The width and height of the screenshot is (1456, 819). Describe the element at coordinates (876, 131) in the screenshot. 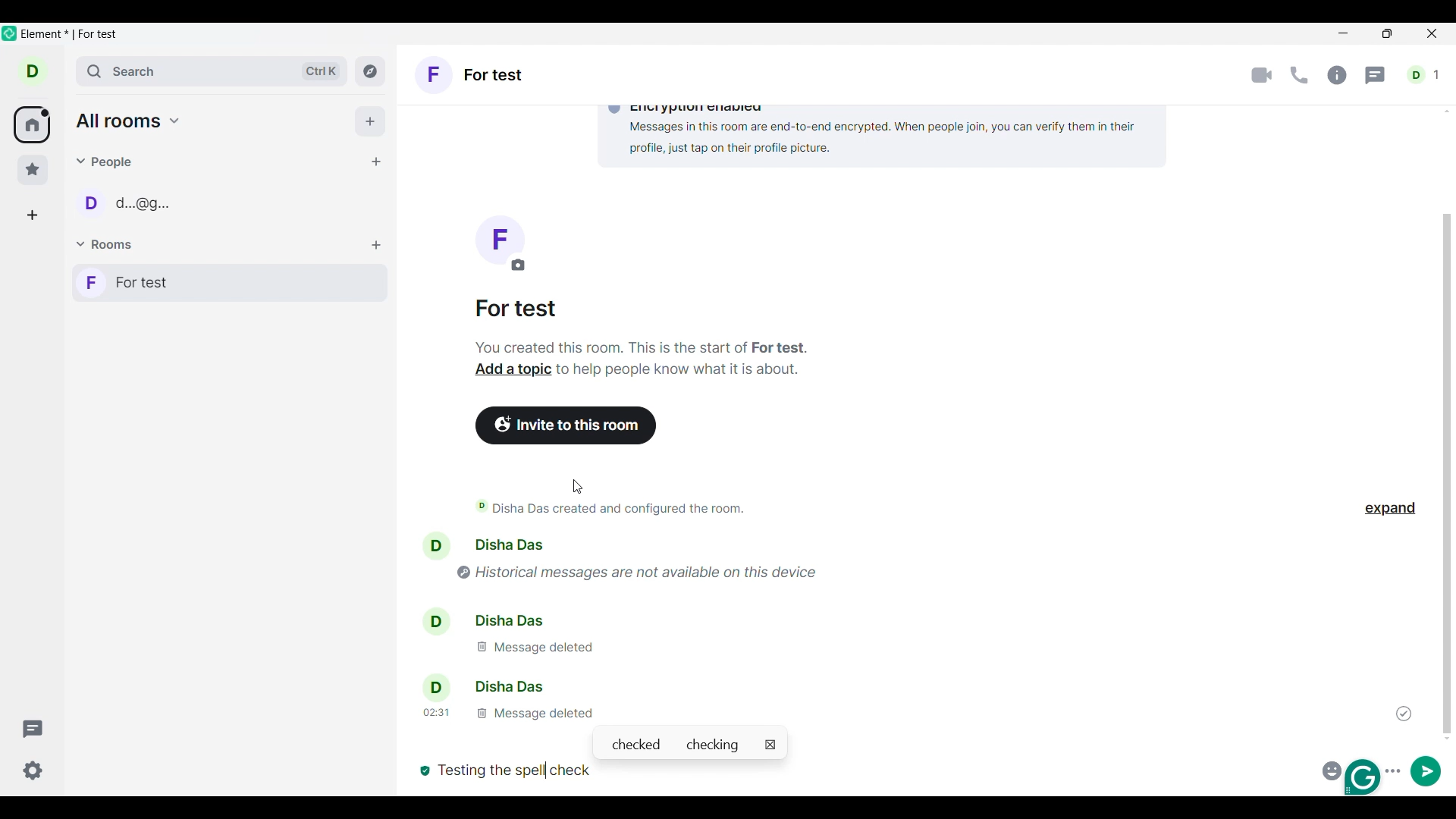

I see `Encryption enabled Messages in this room are end-to-end encrypted. When people join, you can verify them in their profile, just tap on their profile picture.` at that location.